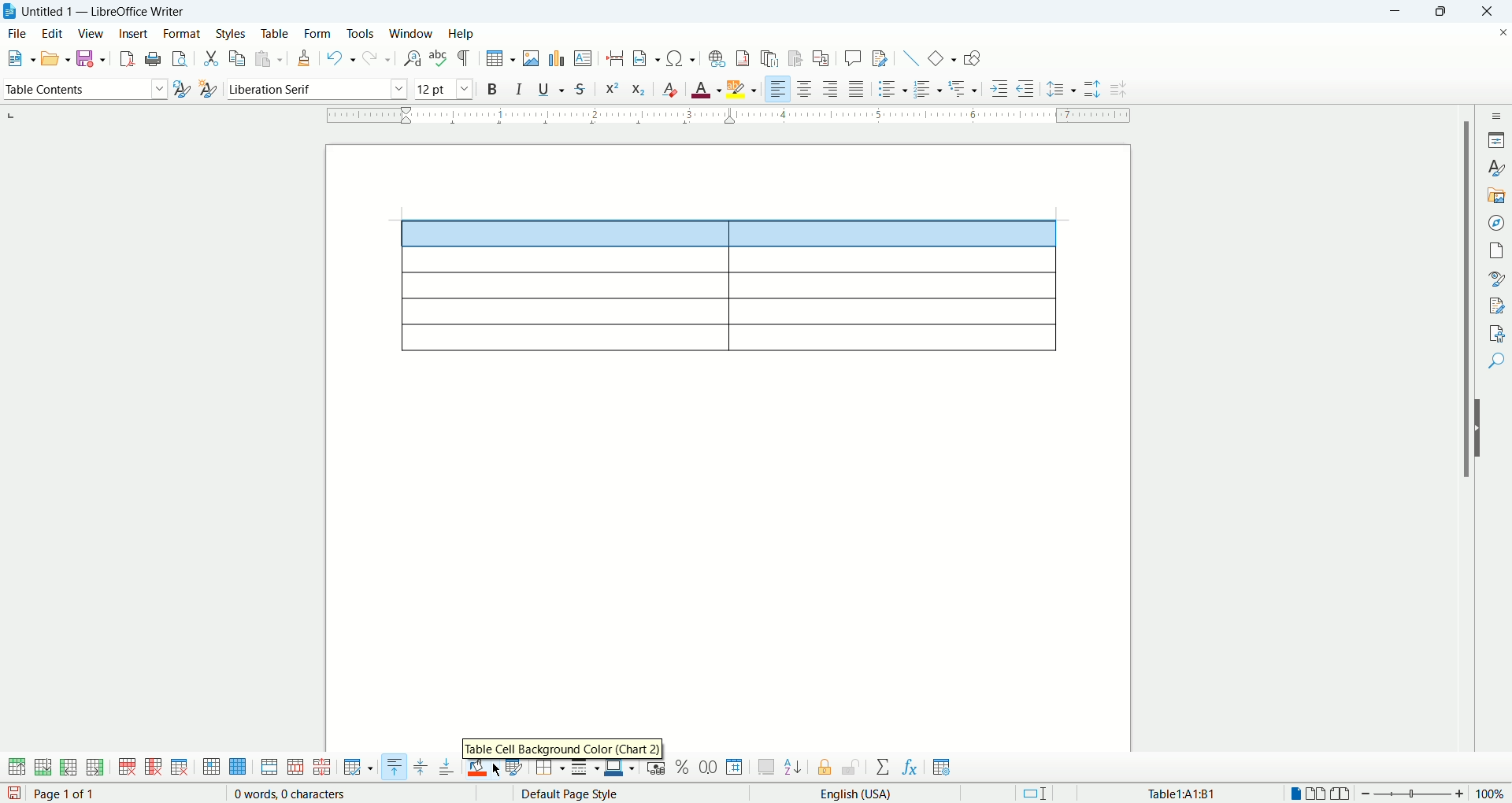 This screenshot has width=1512, height=803. Describe the element at coordinates (304, 57) in the screenshot. I see `clone formatting` at that location.